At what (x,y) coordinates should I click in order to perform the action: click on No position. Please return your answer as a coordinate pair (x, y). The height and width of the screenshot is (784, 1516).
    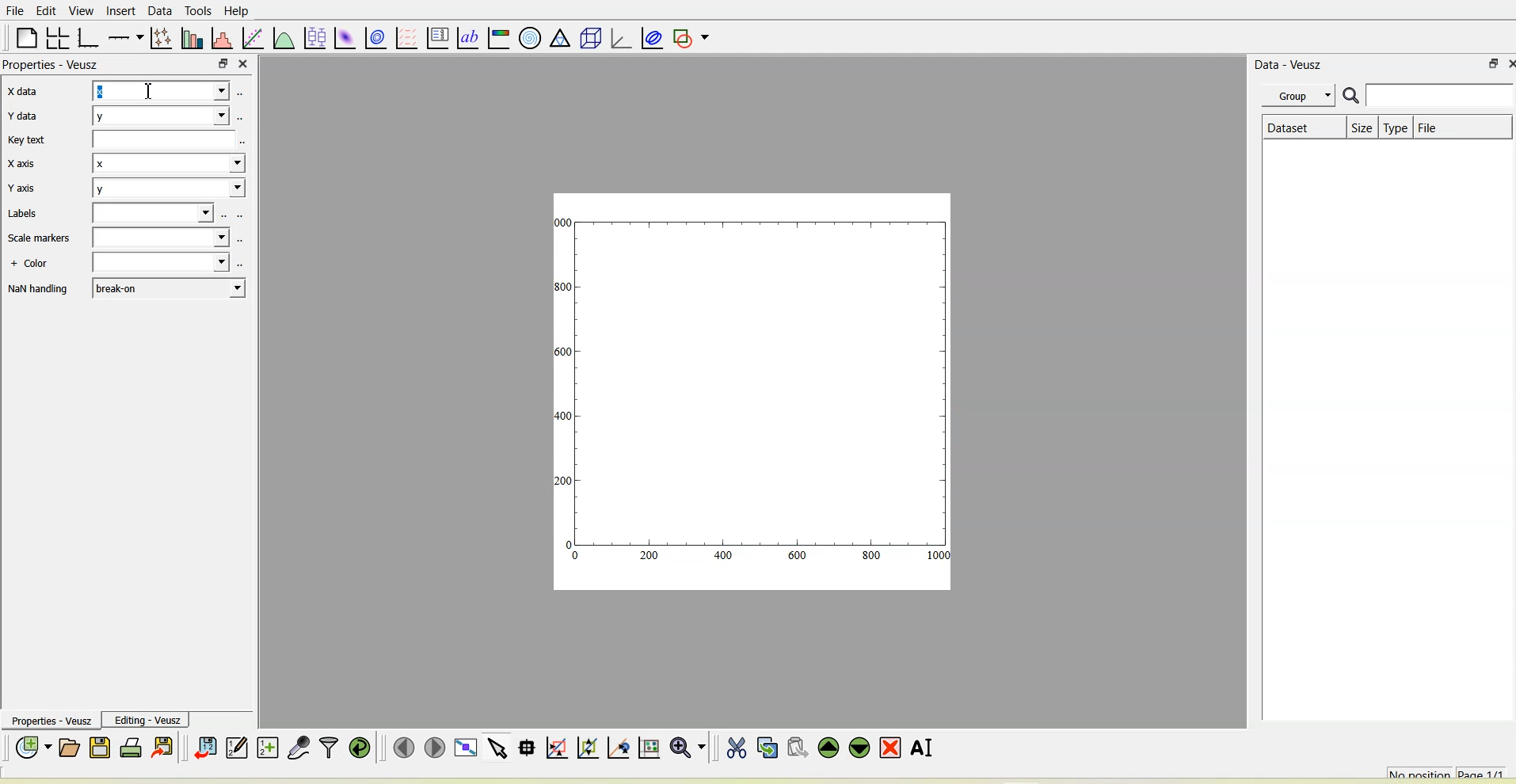
    Looking at the image, I should click on (1420, 772).